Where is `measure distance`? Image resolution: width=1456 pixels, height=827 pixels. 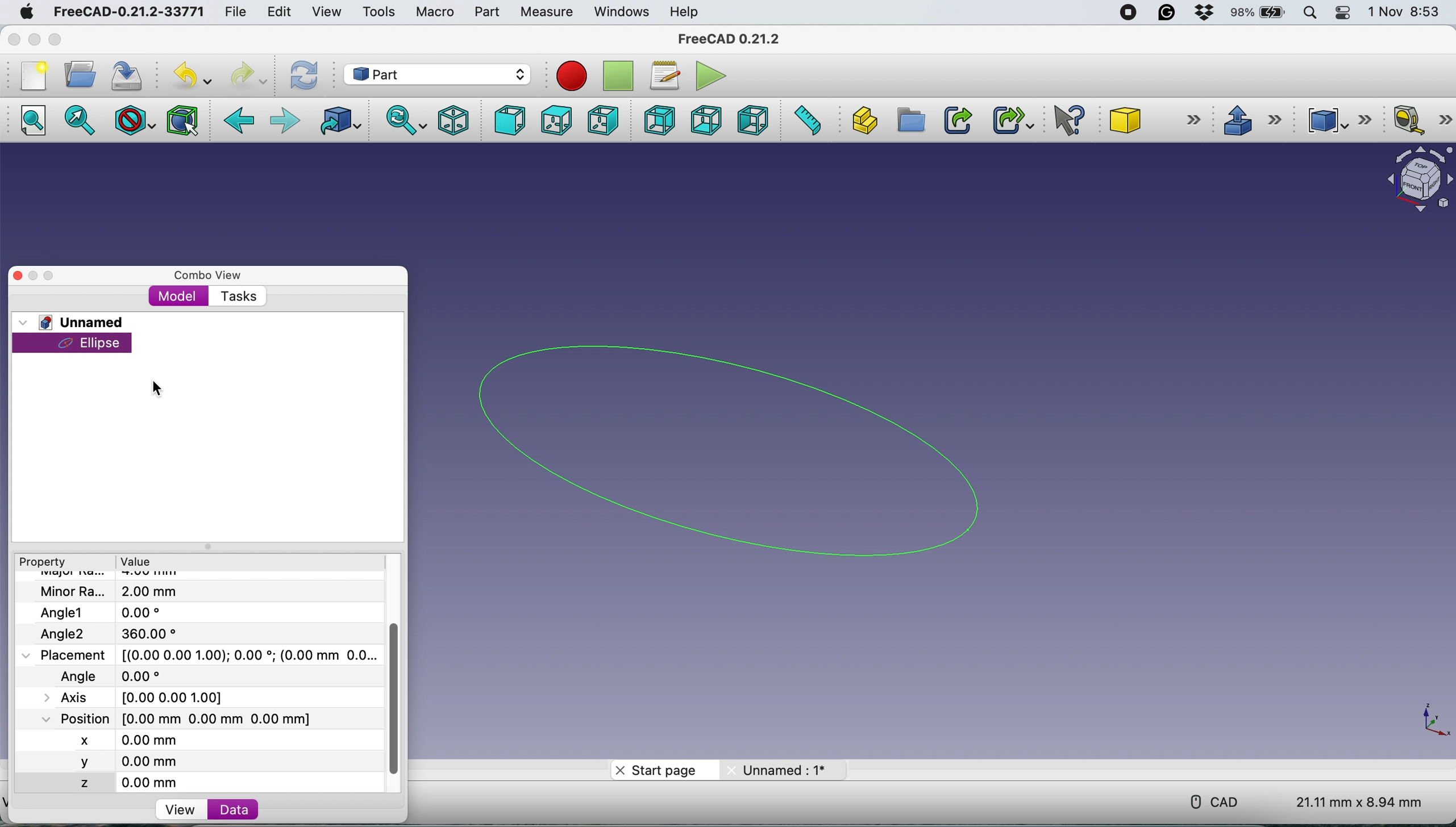 measure distance is located at coordinates (802, 121).